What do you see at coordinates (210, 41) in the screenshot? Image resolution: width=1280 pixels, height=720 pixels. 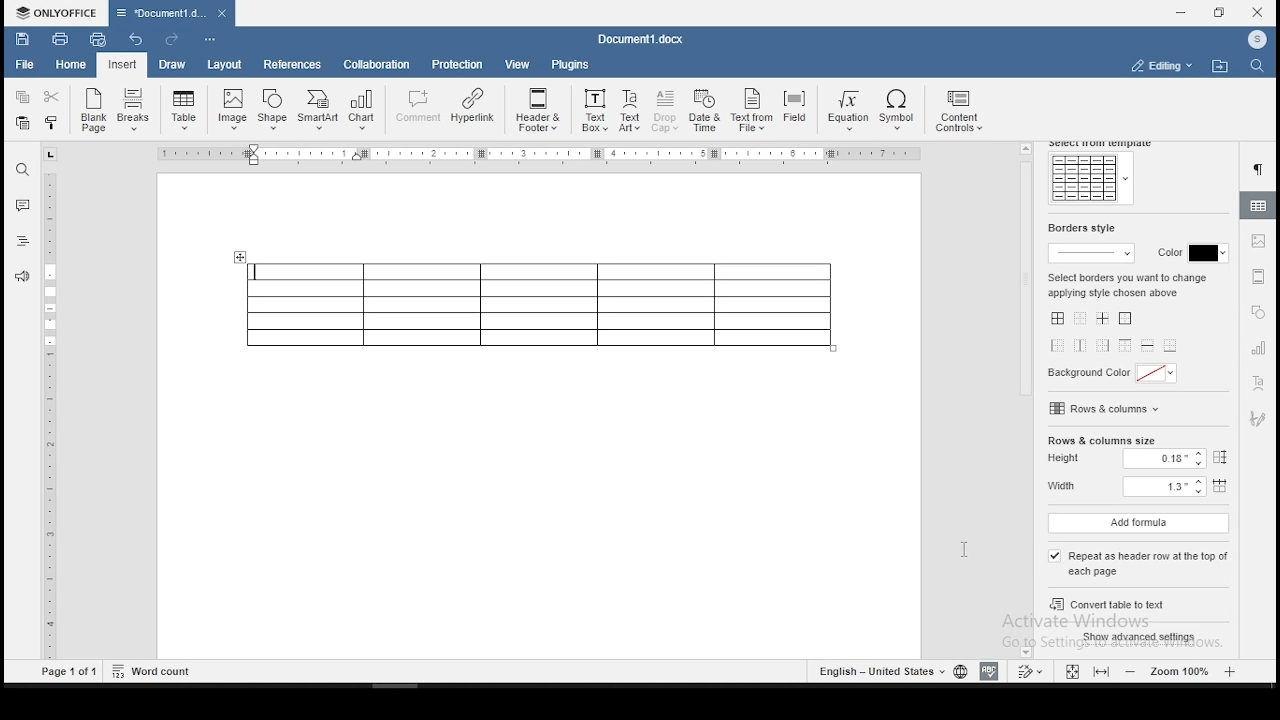 I see `customize quick toolbars` at bounding box center [210, 41].